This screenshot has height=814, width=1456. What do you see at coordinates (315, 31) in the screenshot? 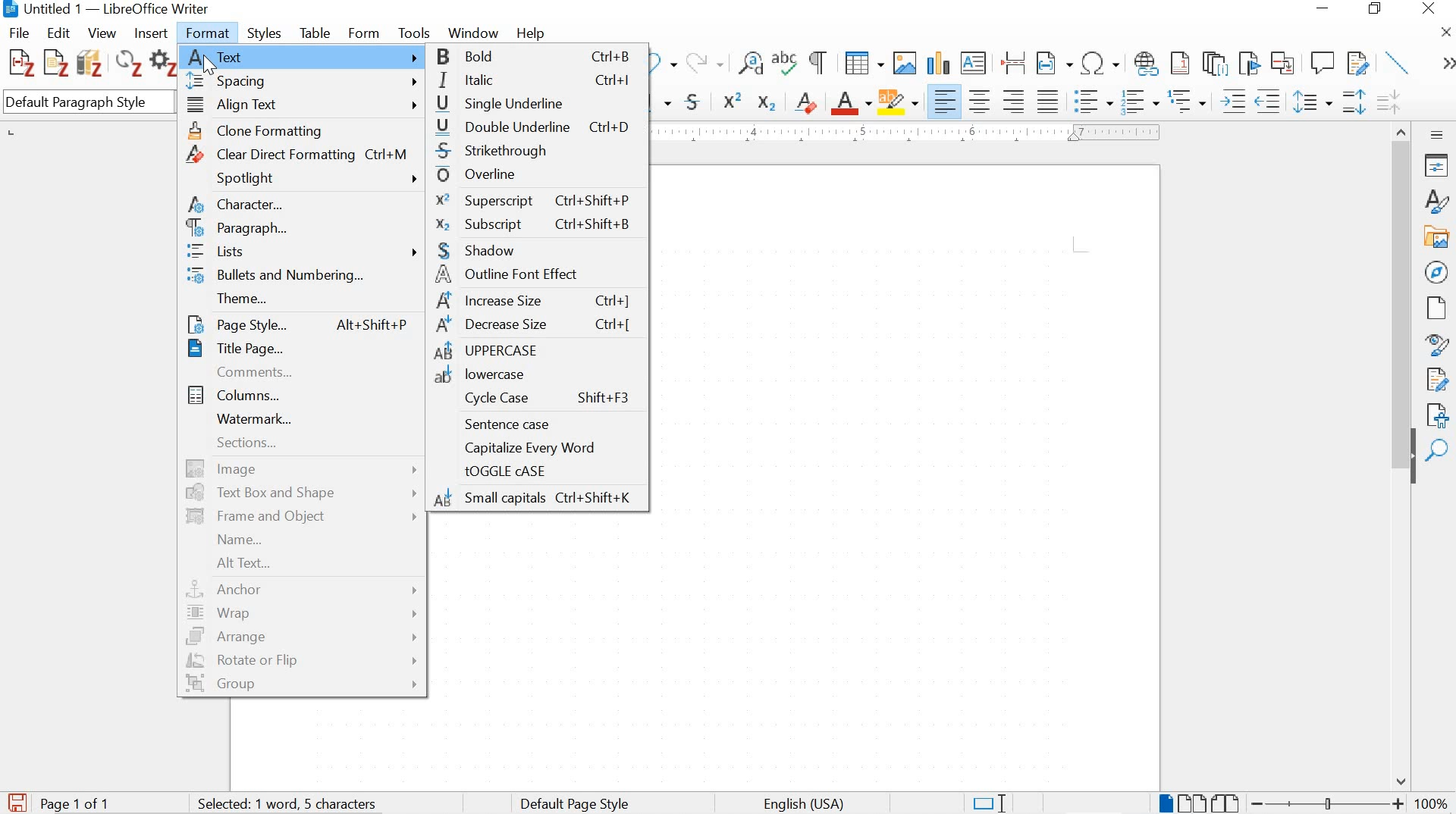
I see `table` at bounding box center [315, 31].